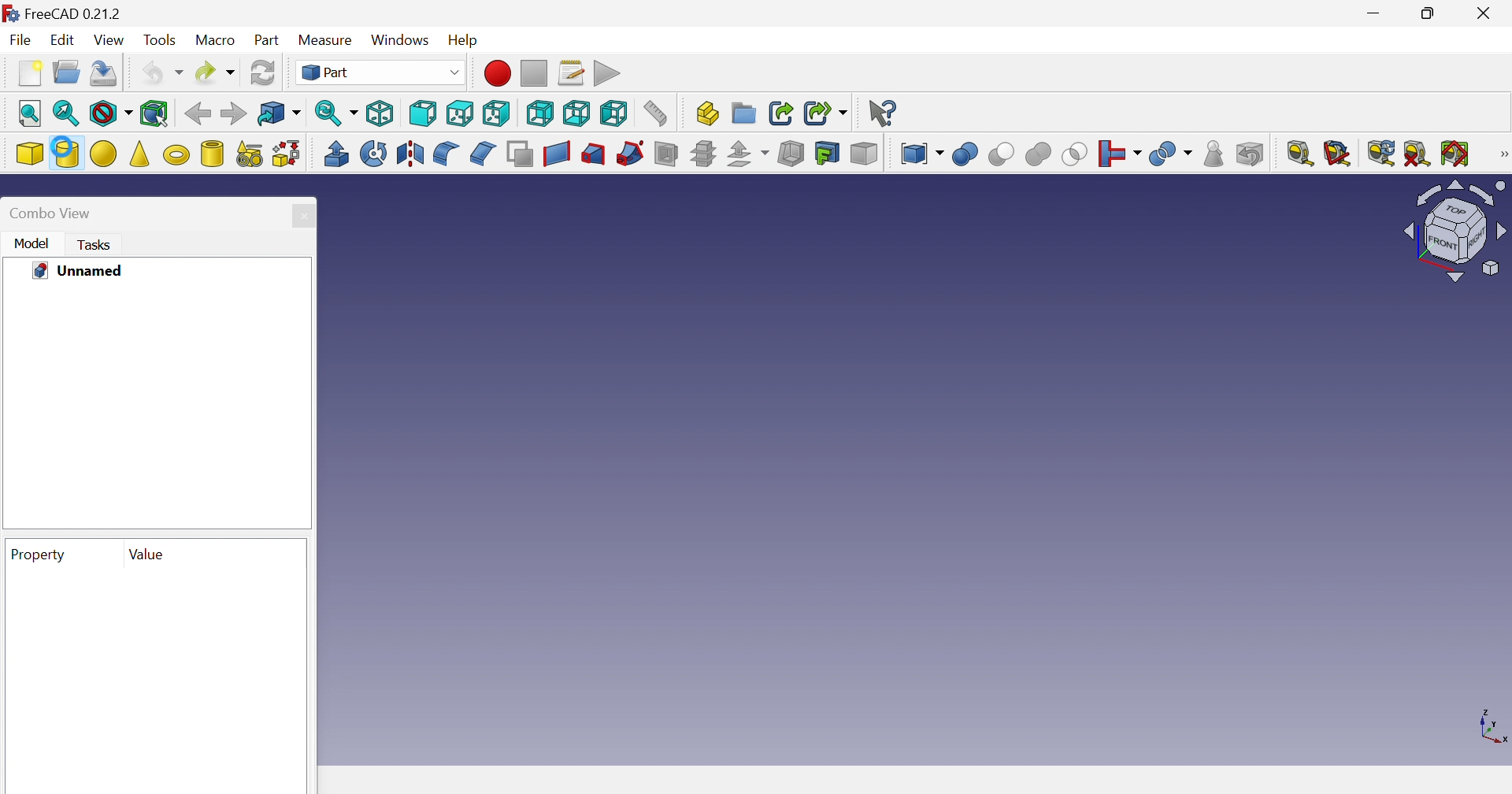 The height and width of the screenshot is (794, 1512). What do you see at coordinates (59, 145) in the screenshot?
I see `cursor` at bounding box center [59, 145].